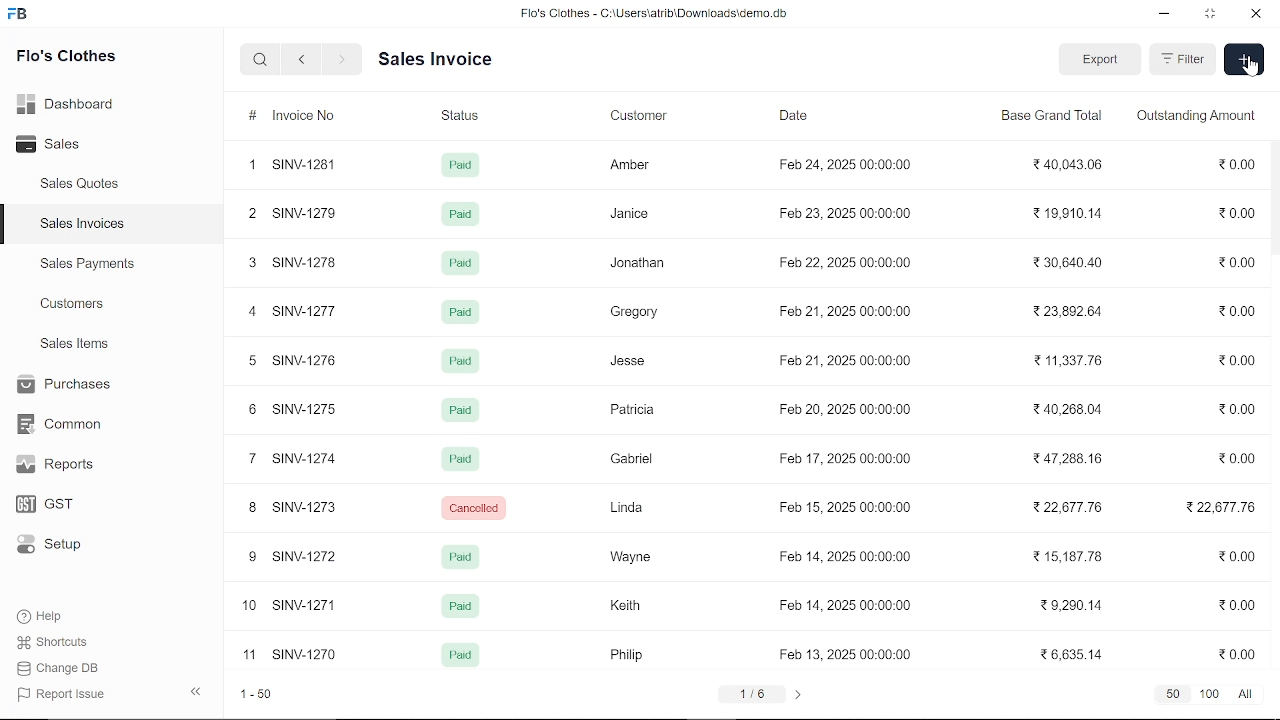 The width and height of the screenshot is (1280, 720). What do you see at coordinates (755, 311) in the screenshot?
I see `4 SINv-1277 Paid Gregory Feb 21, 2025 00:00:00 22389264 20.00` at bounding box center [755, 311].